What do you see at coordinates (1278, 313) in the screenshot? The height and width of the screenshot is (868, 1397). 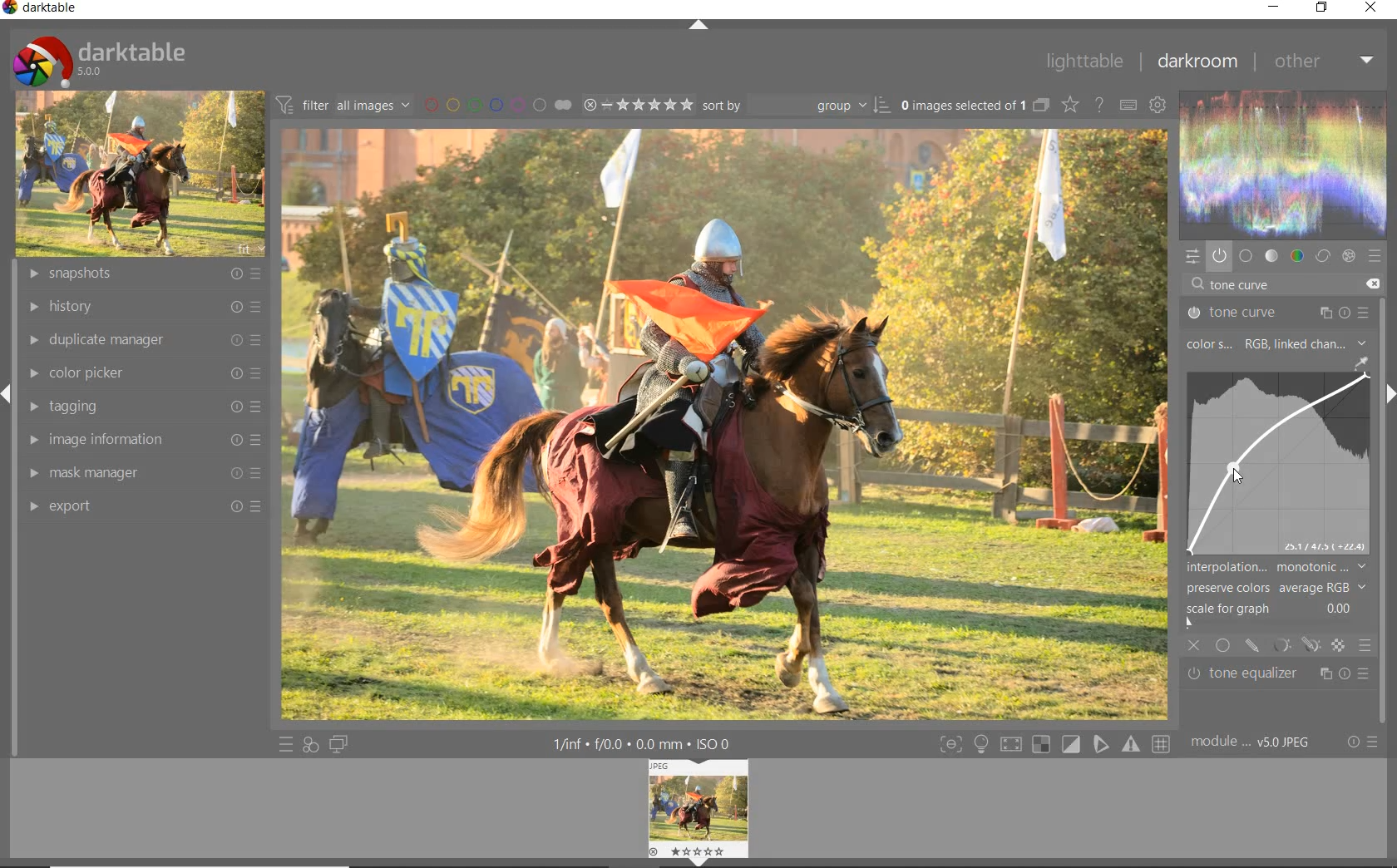 I see `tone curve` at bounding box center [1278, 313].